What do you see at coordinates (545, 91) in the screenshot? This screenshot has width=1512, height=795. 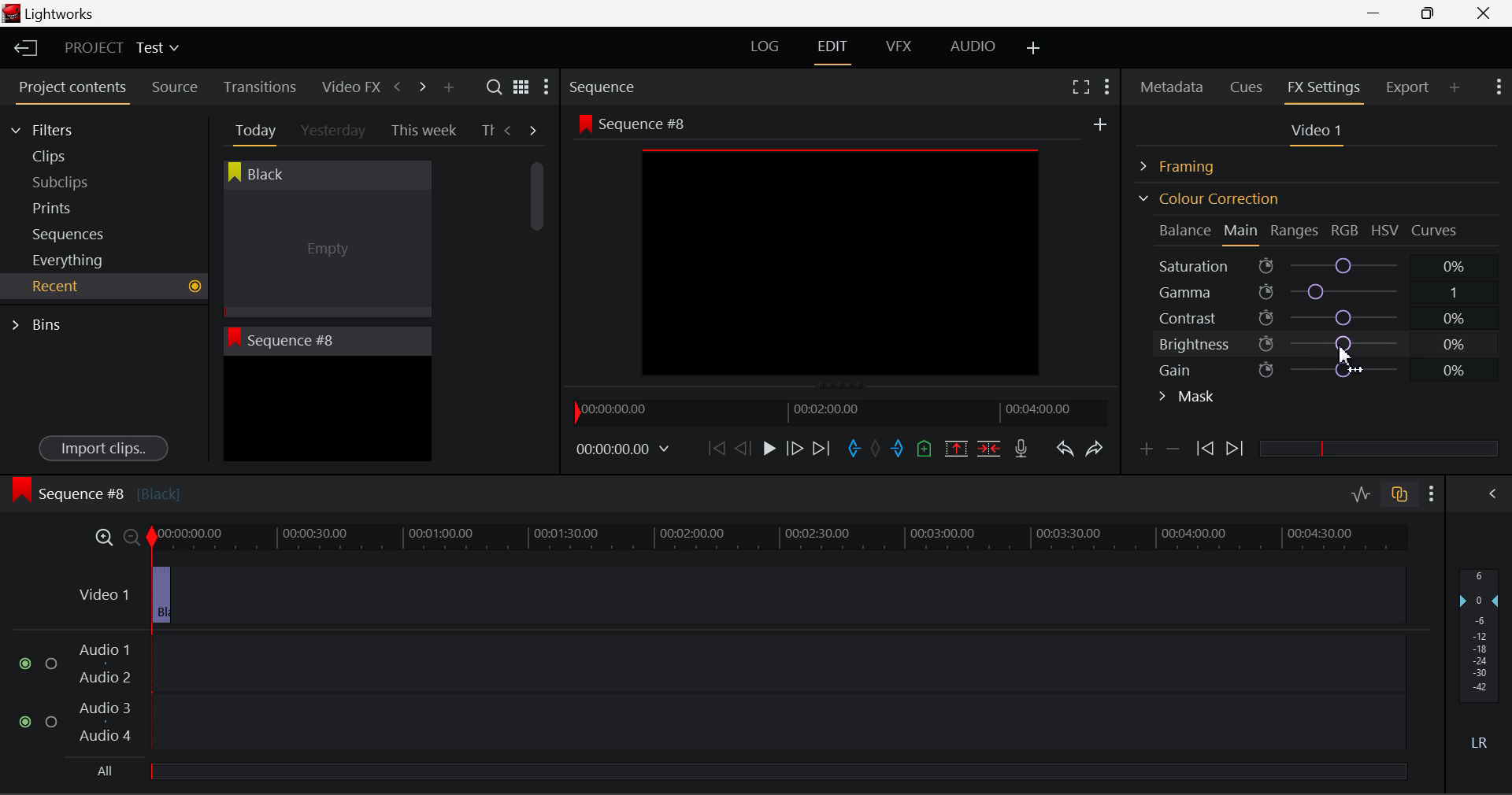 I see `Show Settings` at bounding box center [545, 91].